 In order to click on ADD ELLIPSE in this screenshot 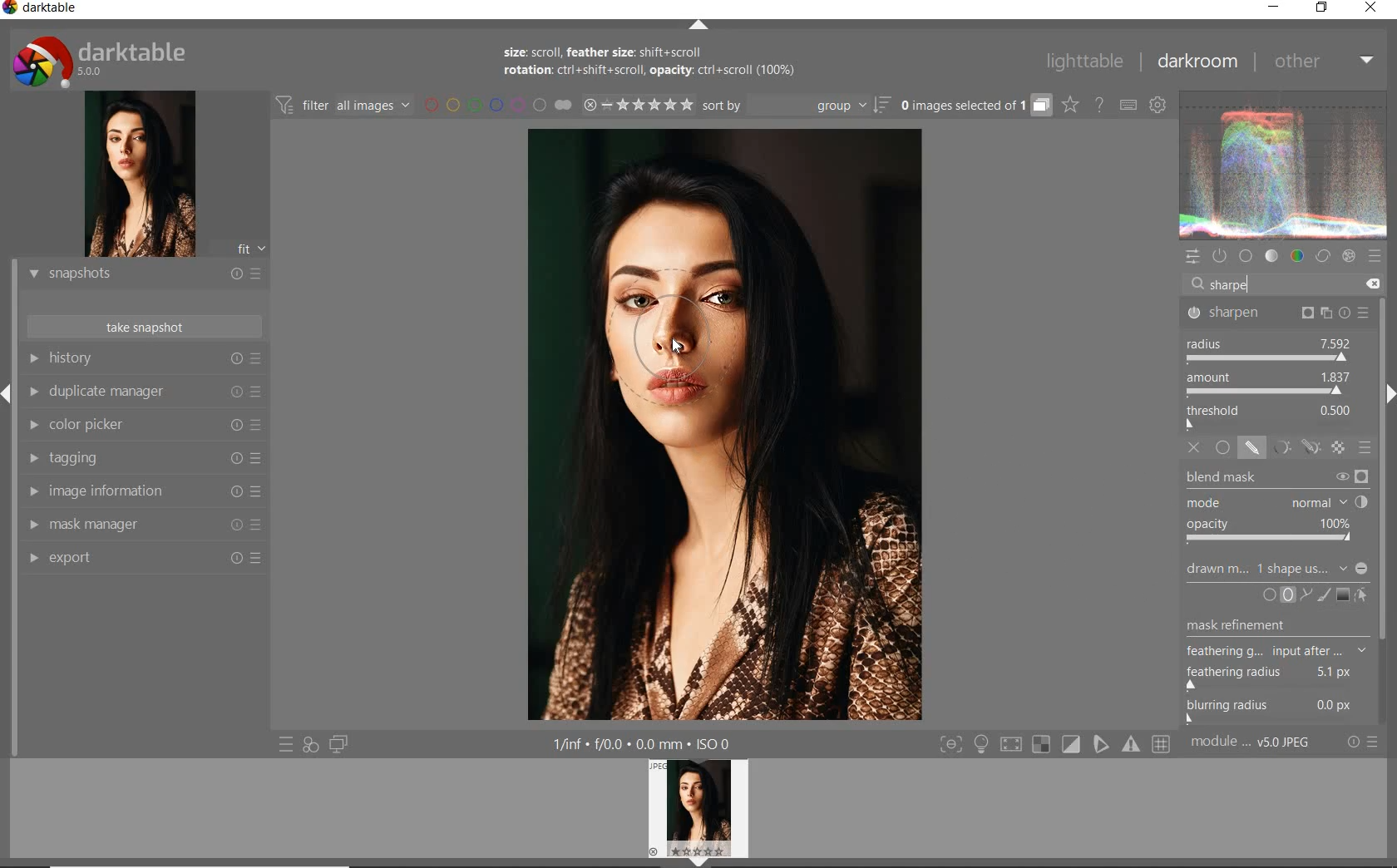, I will do `click(1277, 634)`.